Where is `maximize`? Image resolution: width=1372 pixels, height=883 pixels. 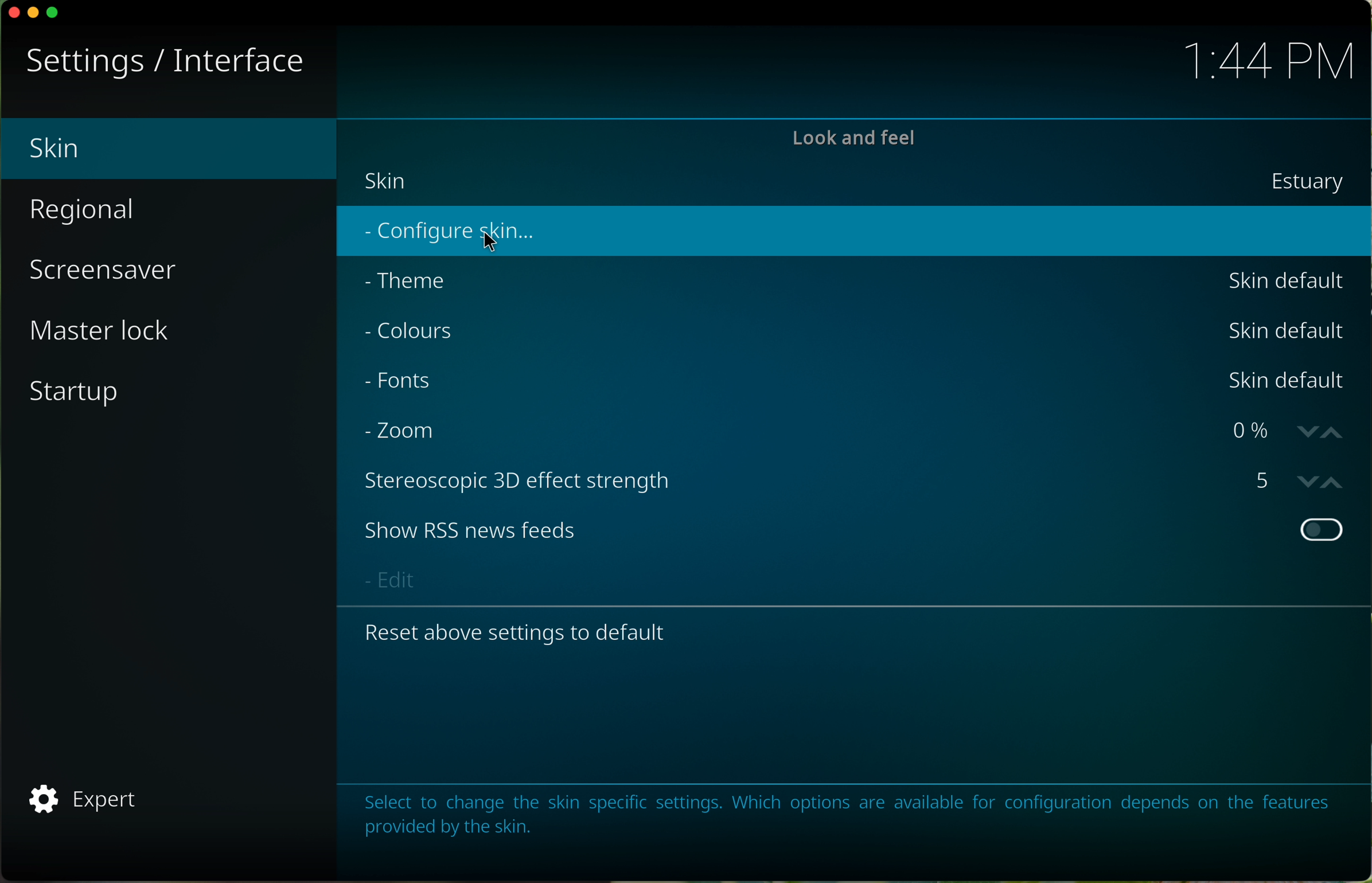 maximize is located at coordinates (57, 11).